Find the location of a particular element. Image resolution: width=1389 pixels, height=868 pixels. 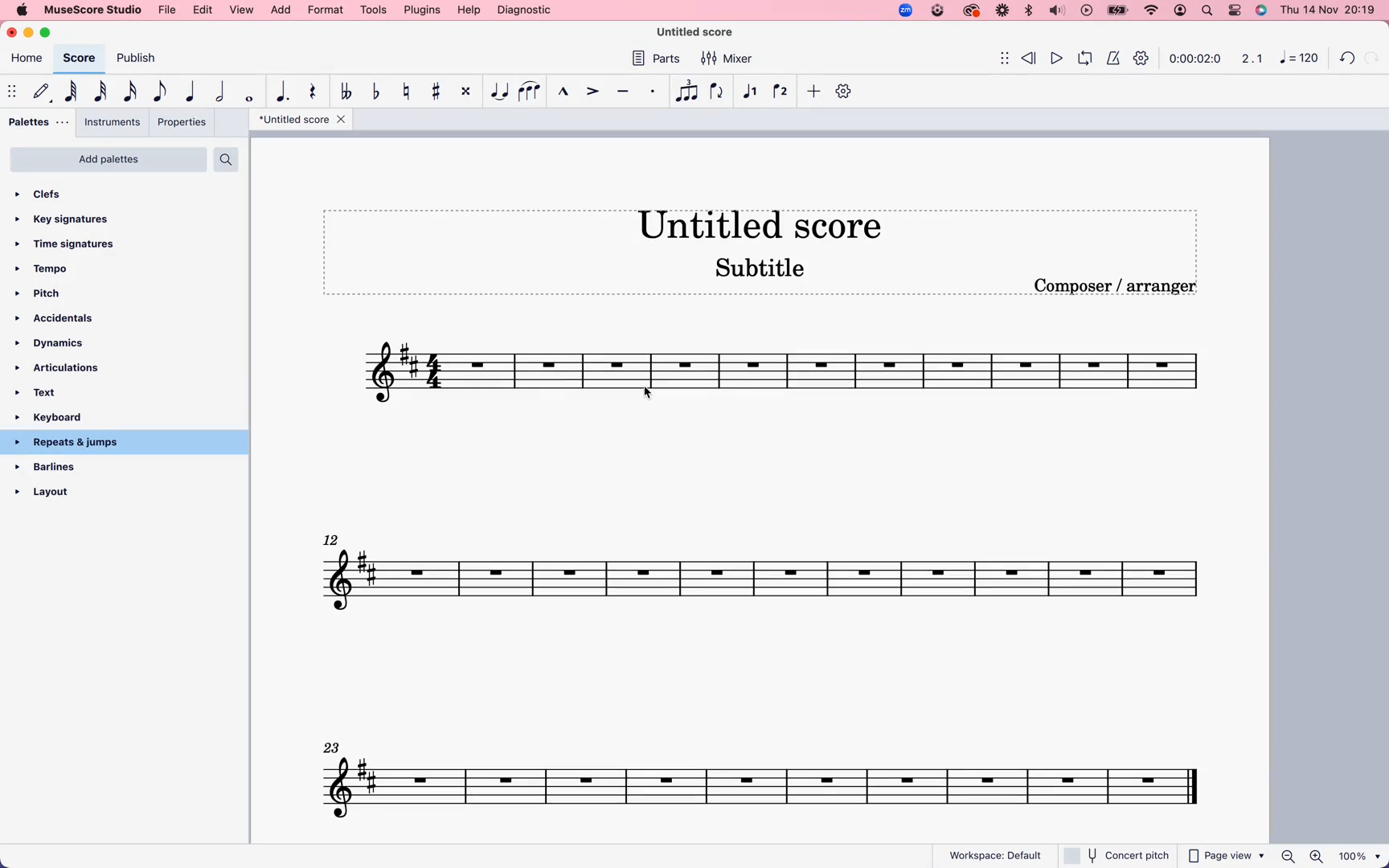

move is located at coordinates (11, 88).